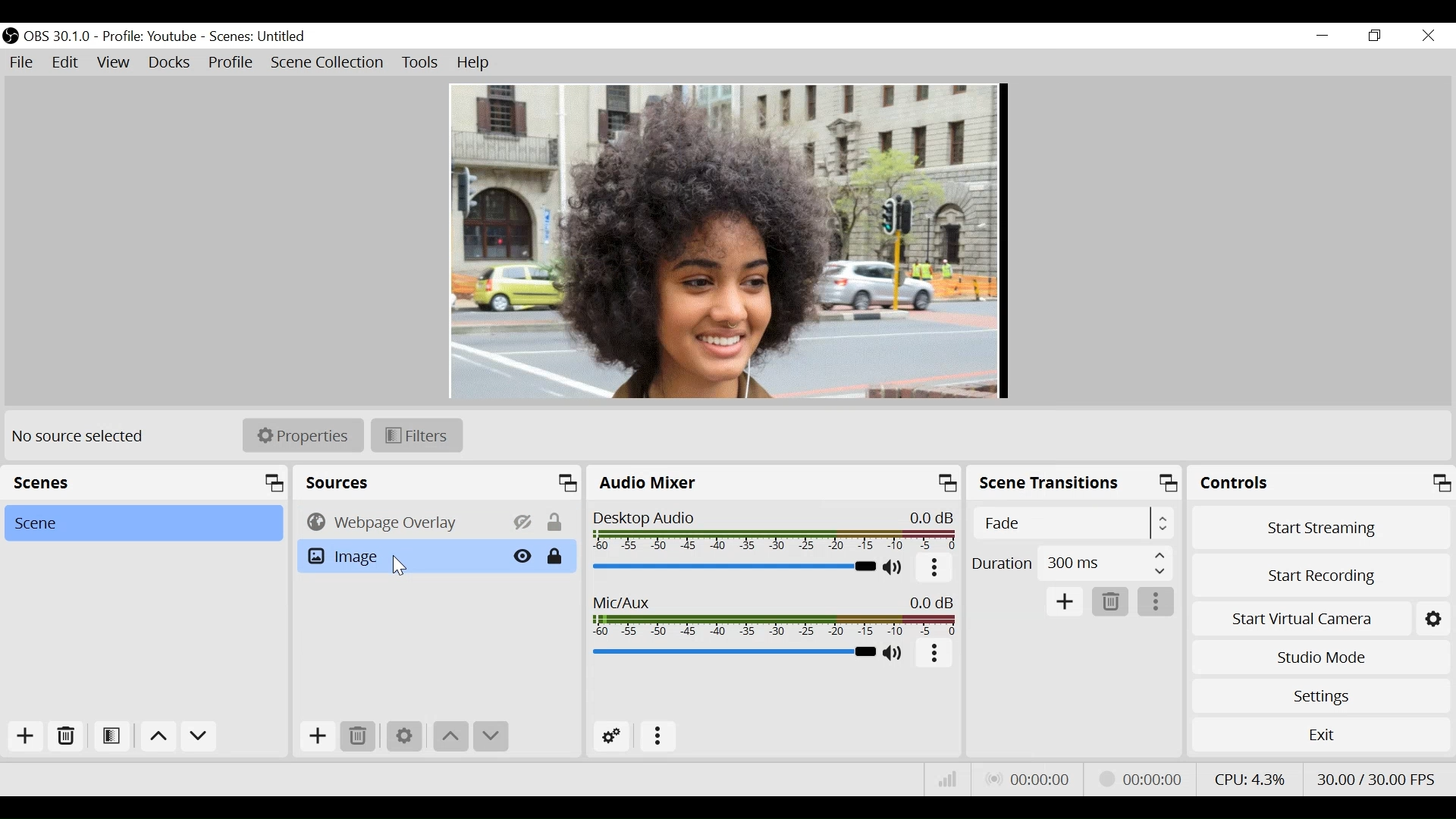 The image size is (1456, 819). Describe the element at coordinates (1300, 620) in the screenshot. I see `Start Virtual Camera` at that location.